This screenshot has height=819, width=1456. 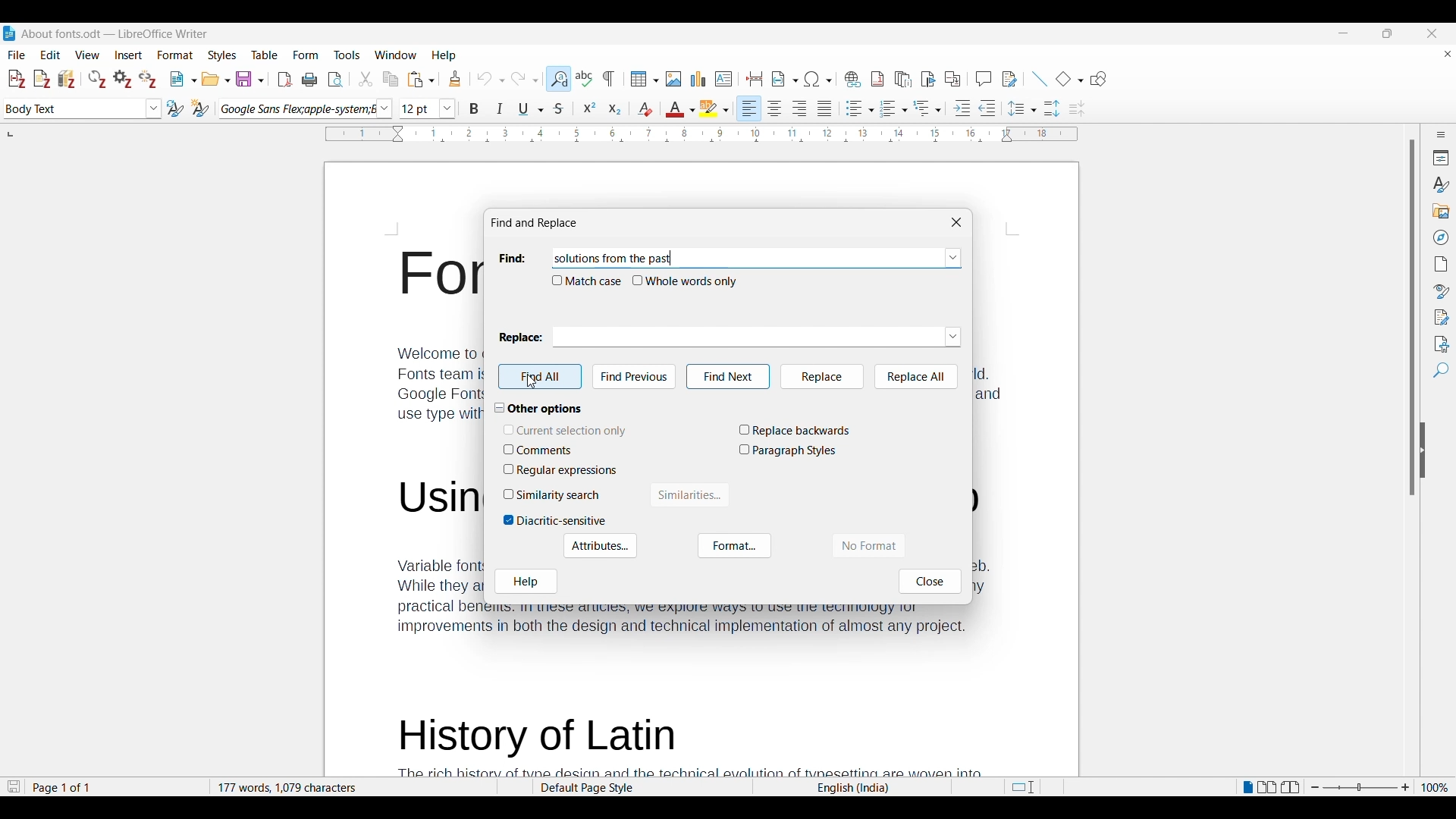 What do you see at coordinates (336, 80) in the screenshot?
I see `Toggle print preview` at bounding box center [336, 80].